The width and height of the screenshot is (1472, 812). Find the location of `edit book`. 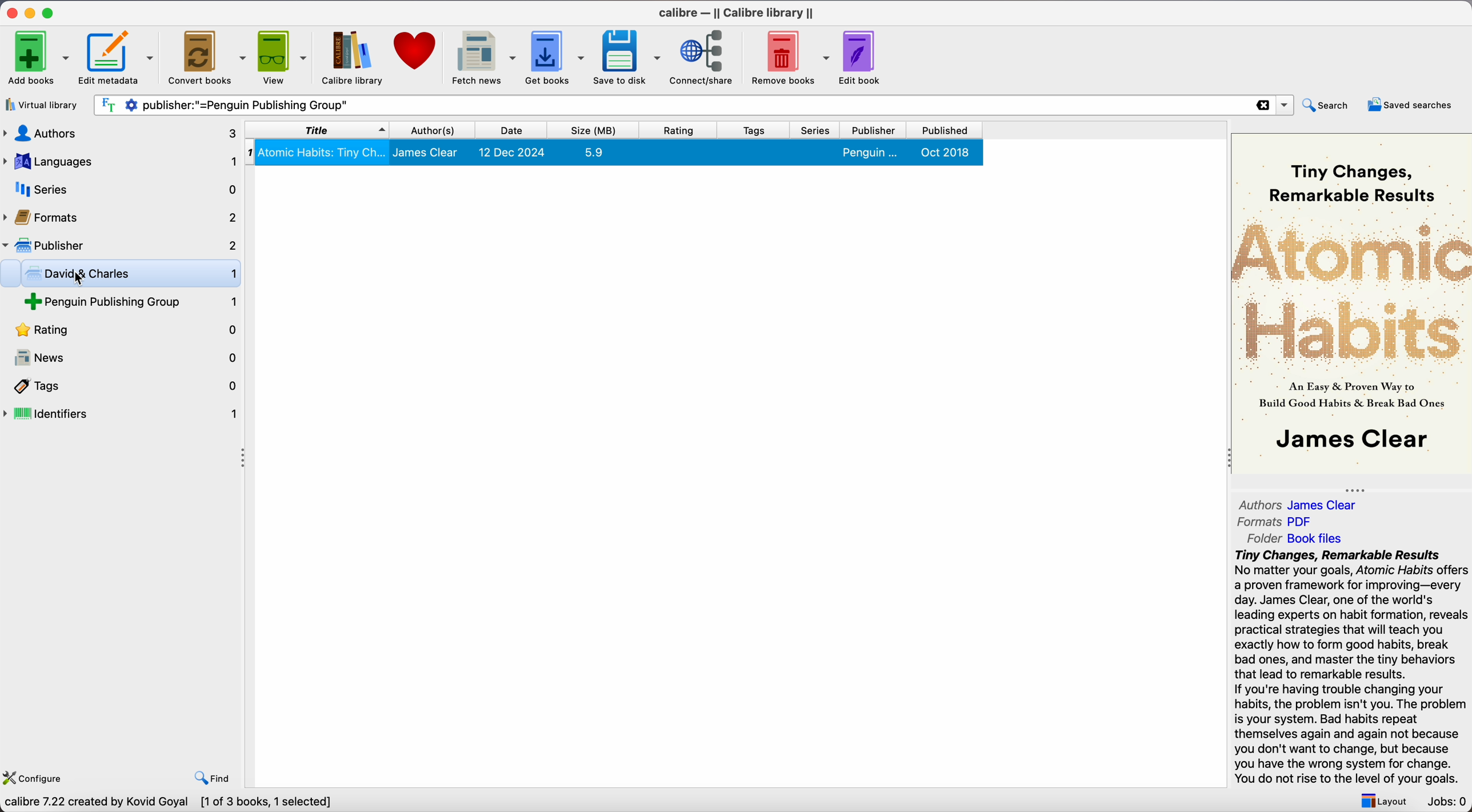

edit book is located at coordinates (864, 57).